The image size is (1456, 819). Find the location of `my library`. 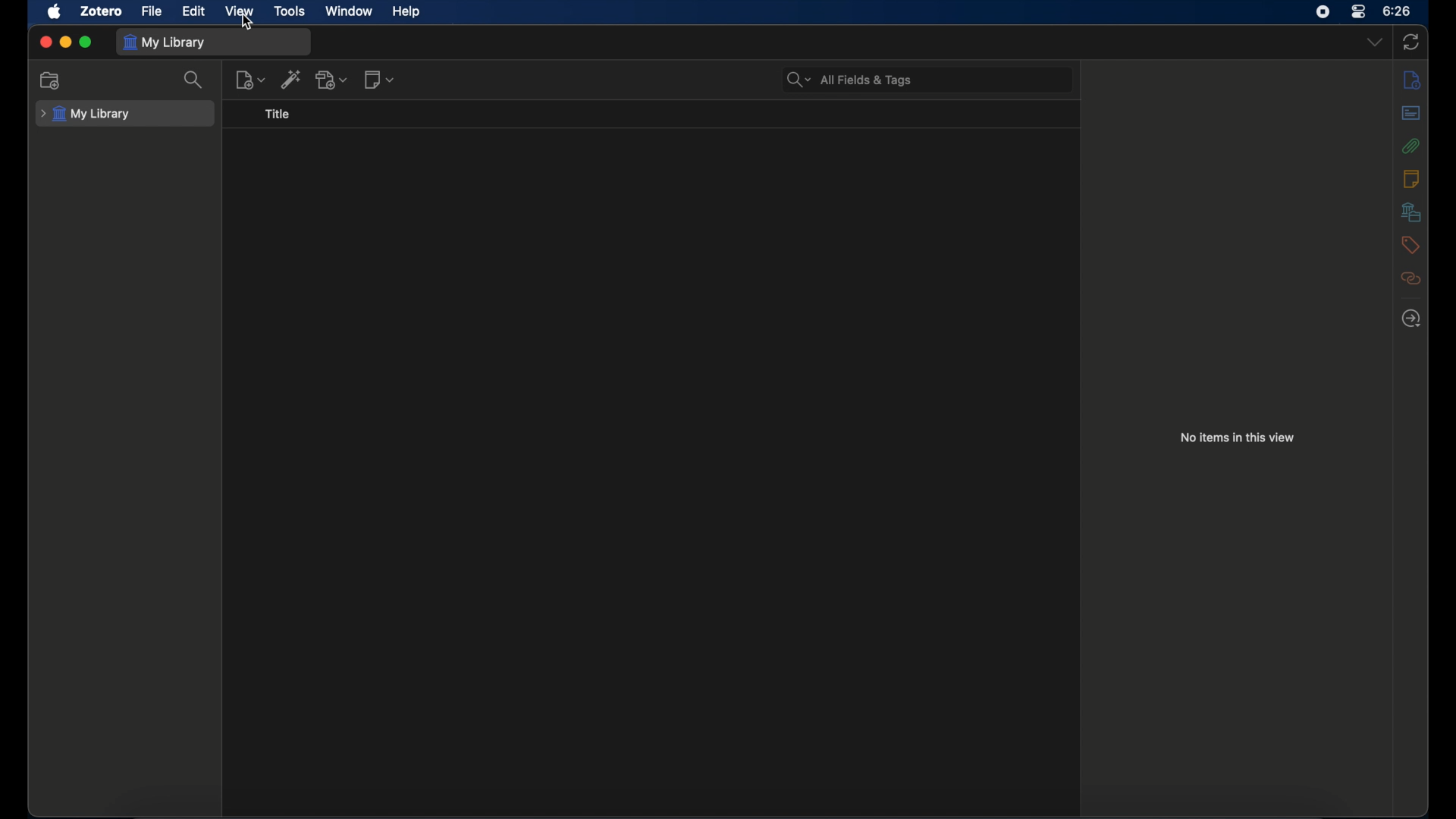

my library is located at coordinates (85, 114).